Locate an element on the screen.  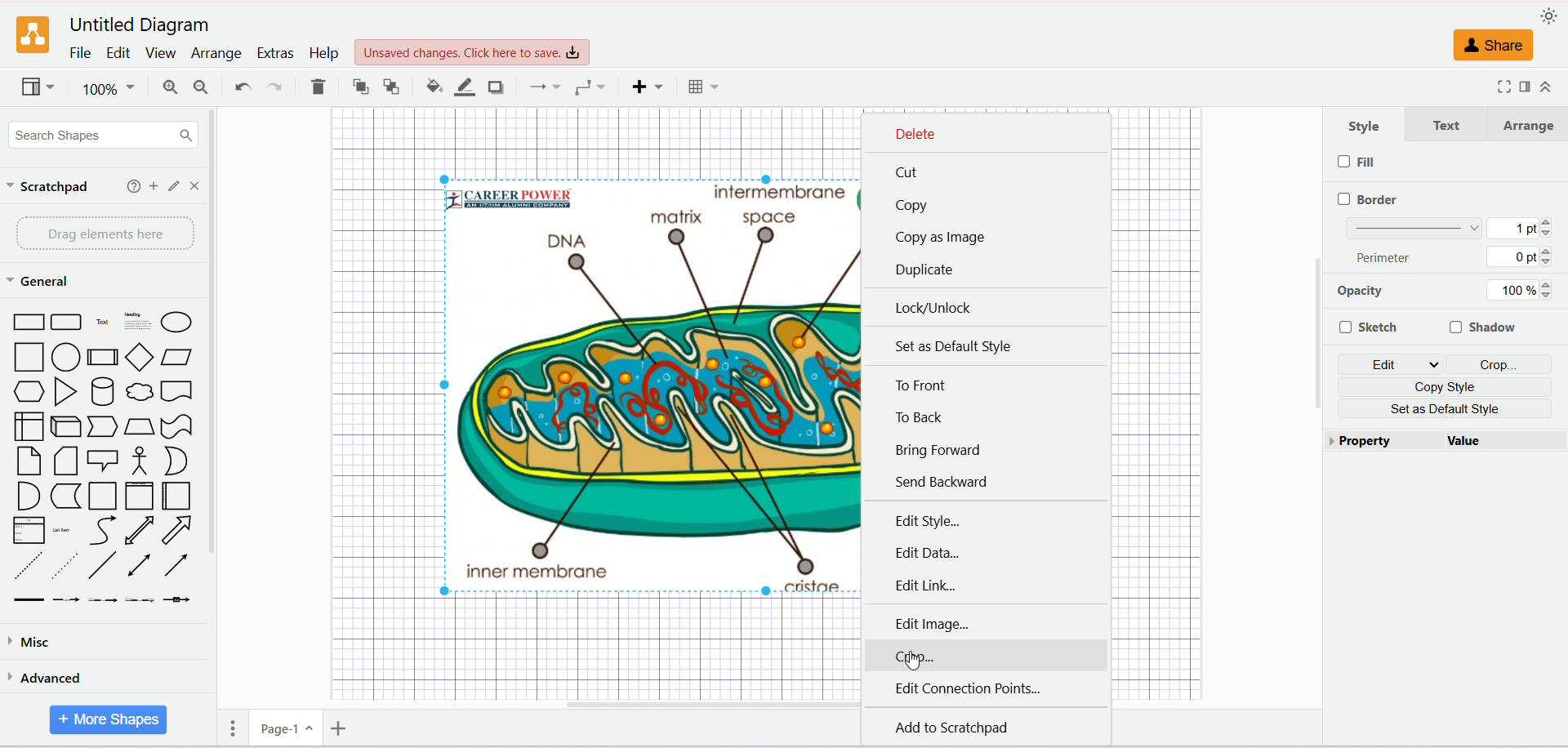
fill color is located at coordinates (432, 85).